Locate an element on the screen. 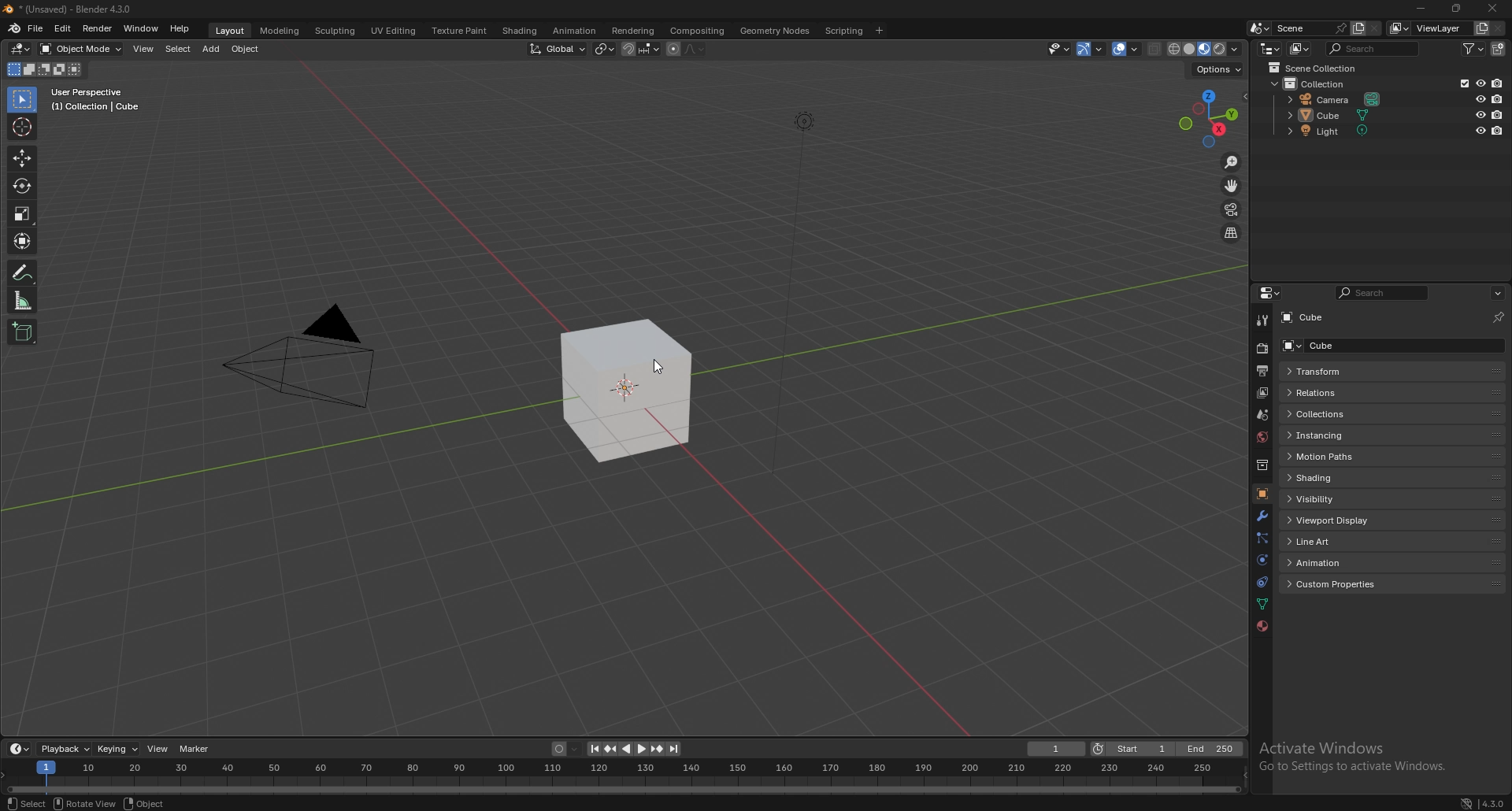 This screenshot has width=1512, height=811. scene is located at coordinates (1311, 28).